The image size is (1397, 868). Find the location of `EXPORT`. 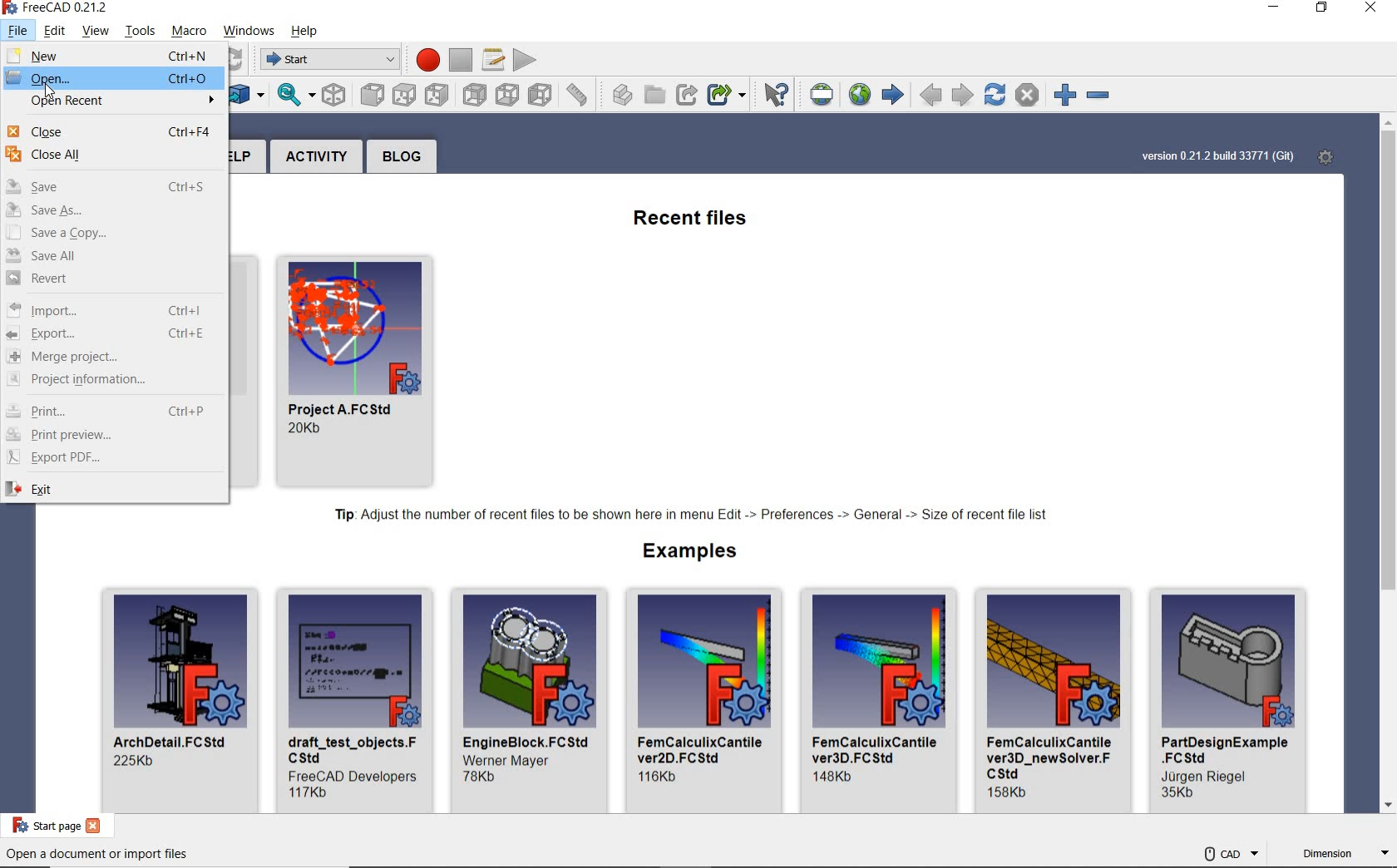

EXPORT is located at coordinates (67, 334).